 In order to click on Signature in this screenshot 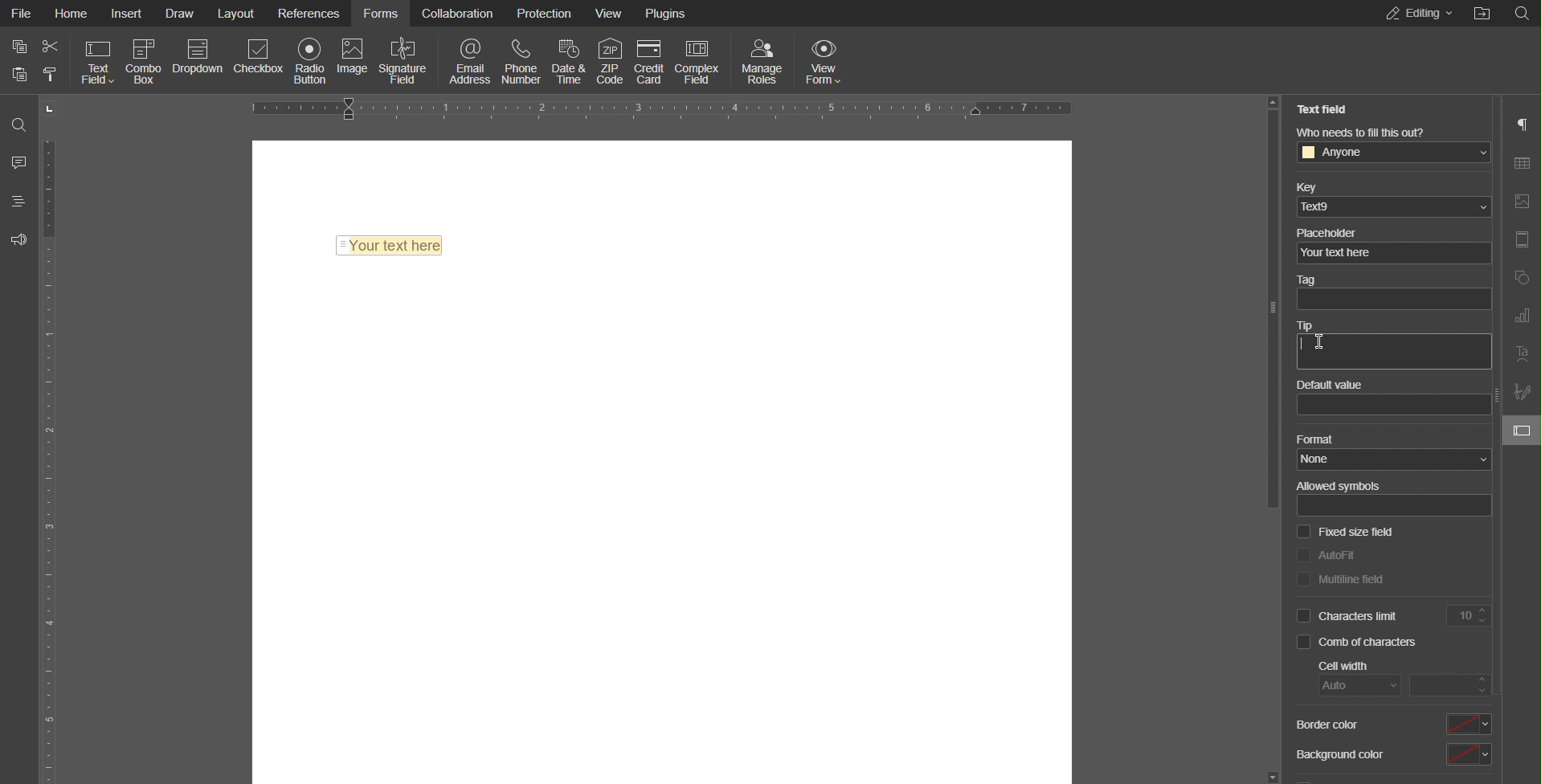, I will do `click(1522, 391)`.